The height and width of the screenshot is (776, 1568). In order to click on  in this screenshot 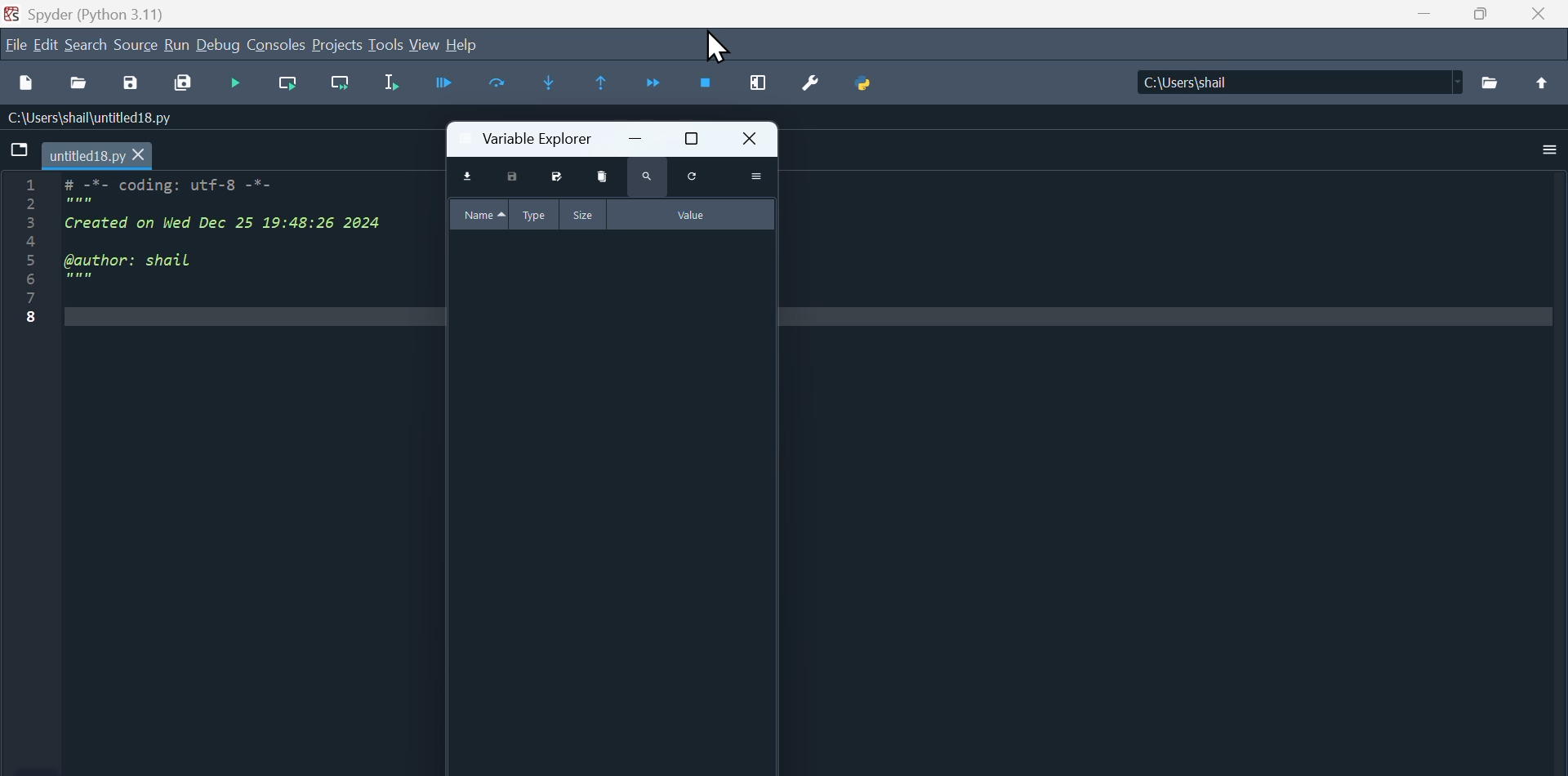, I will do `click(452, 88)`.